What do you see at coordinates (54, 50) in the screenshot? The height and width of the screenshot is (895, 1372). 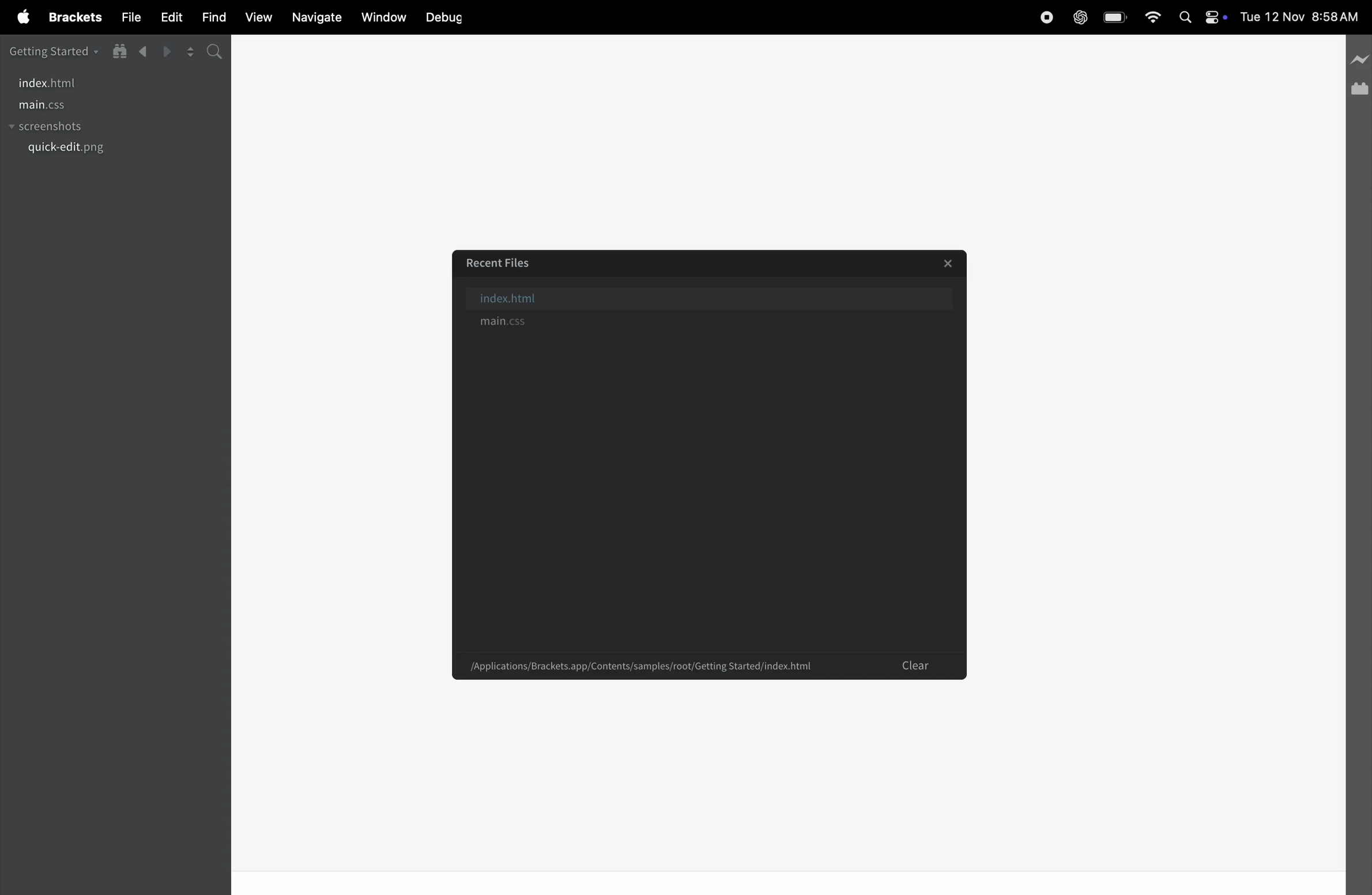 I see `getting started` at bounding box center [54, 50].